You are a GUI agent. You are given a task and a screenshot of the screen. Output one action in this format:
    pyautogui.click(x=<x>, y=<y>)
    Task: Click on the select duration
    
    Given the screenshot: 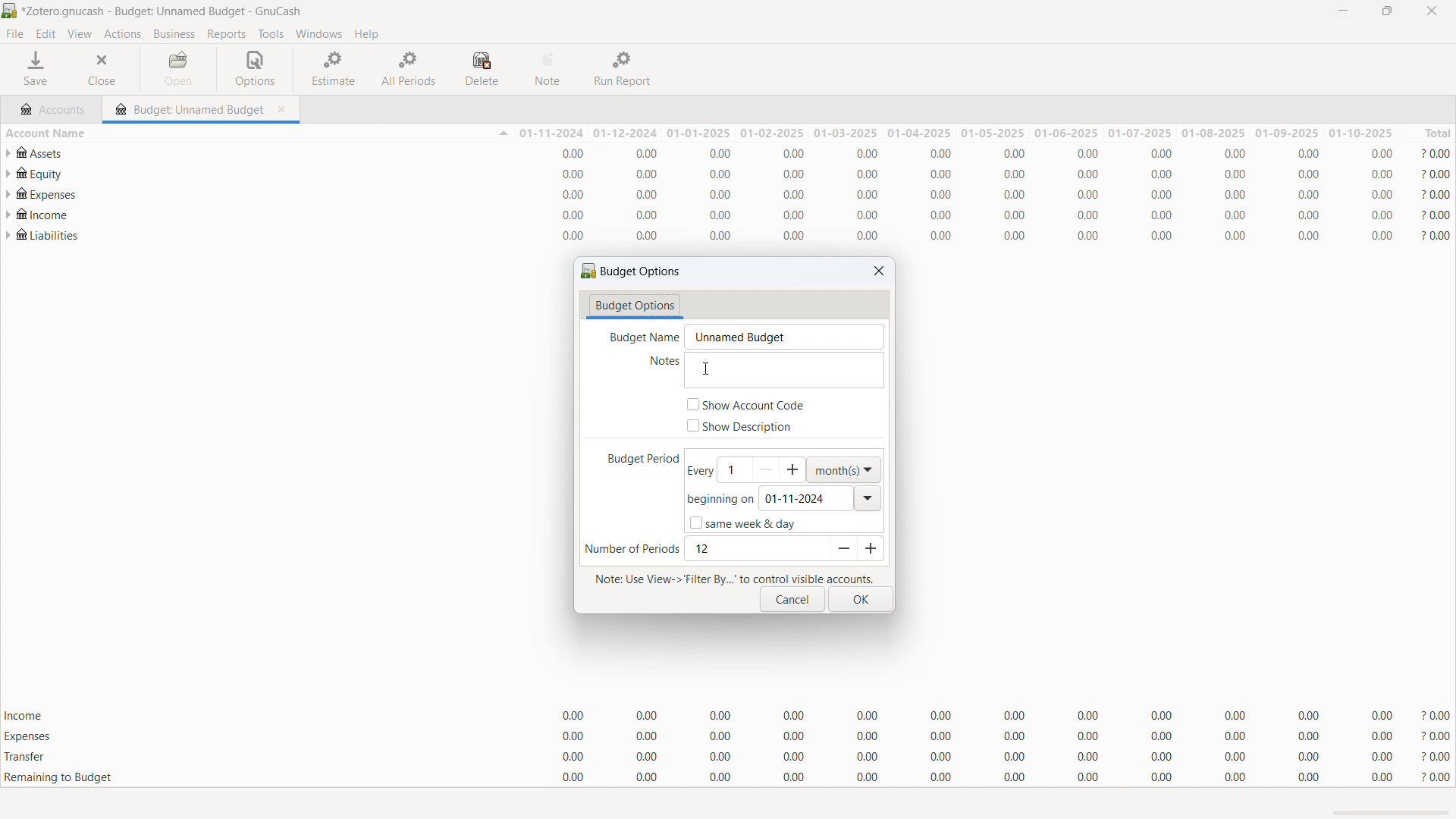 What is the action you would take?
    pyautogui.click(x=844, y=470)
    